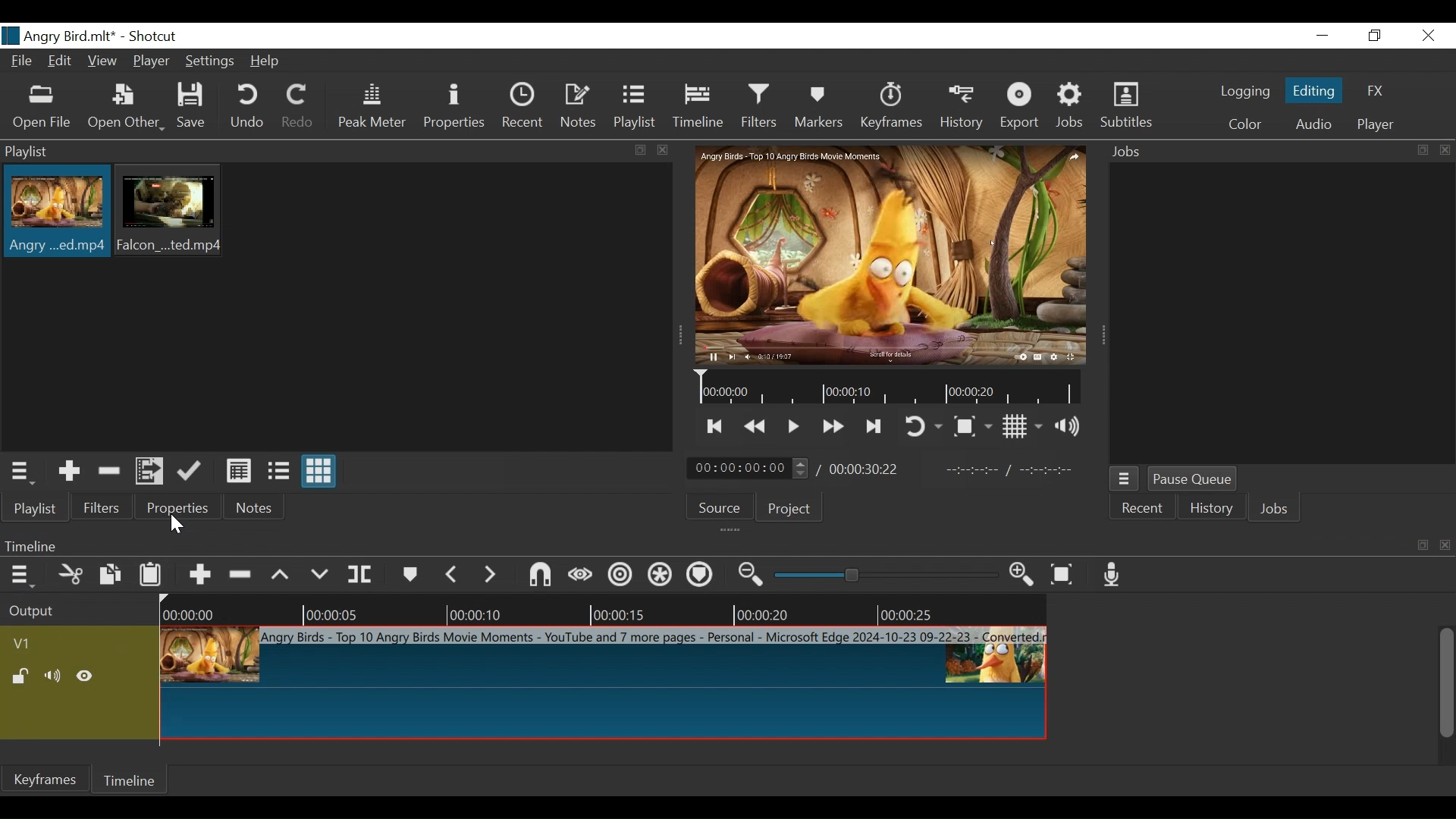  What do you see at coordinates (1275, 152) in the screenshot?
I see `Jobs Panel` at bounding box center [1275, 152].